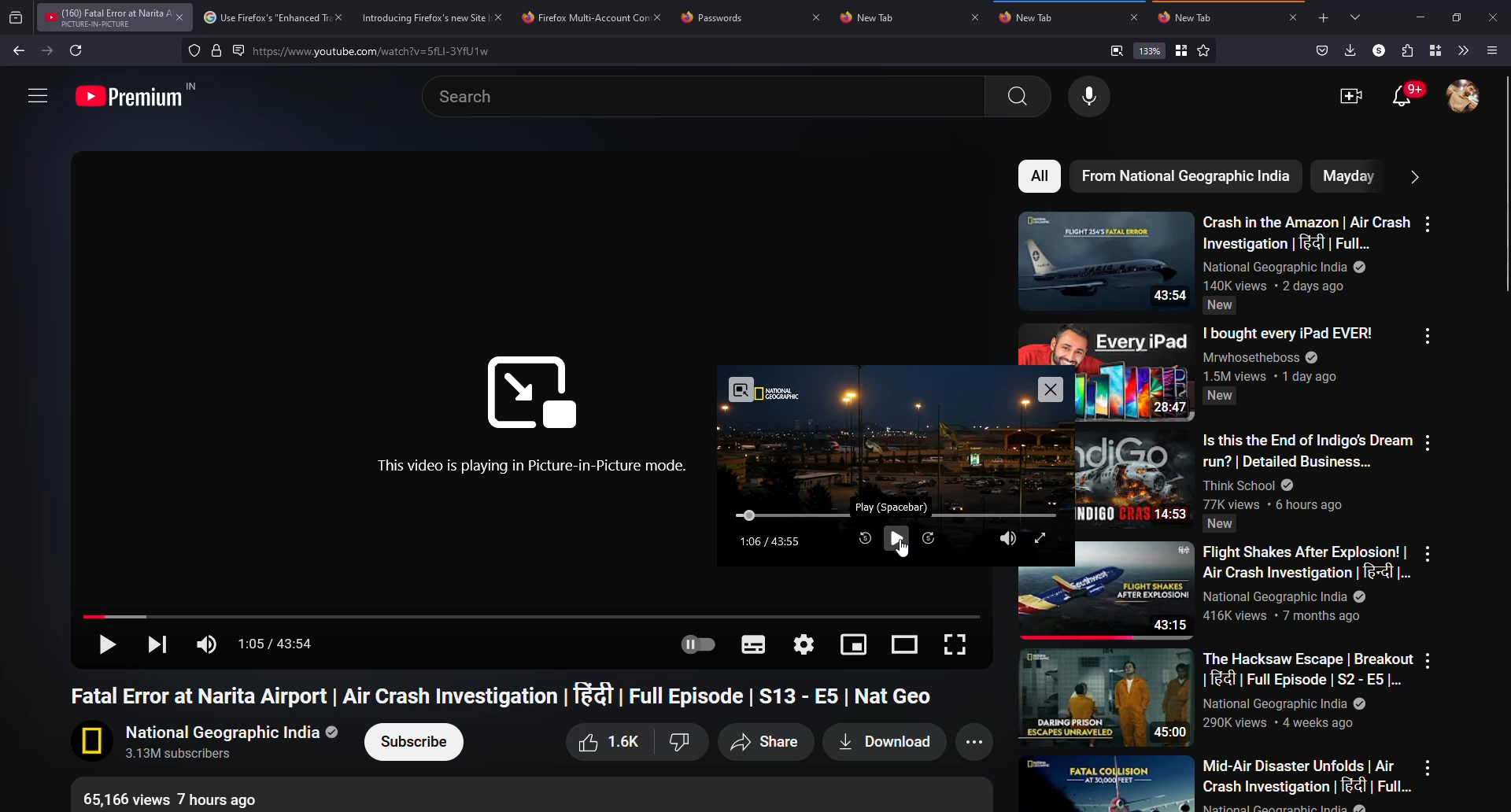 The width and height of the screenshot is (1511, 812). What do you see at coordinates (1405, 50) in the screenshot?
I see `extensions` at bounding box center [1405, 50].